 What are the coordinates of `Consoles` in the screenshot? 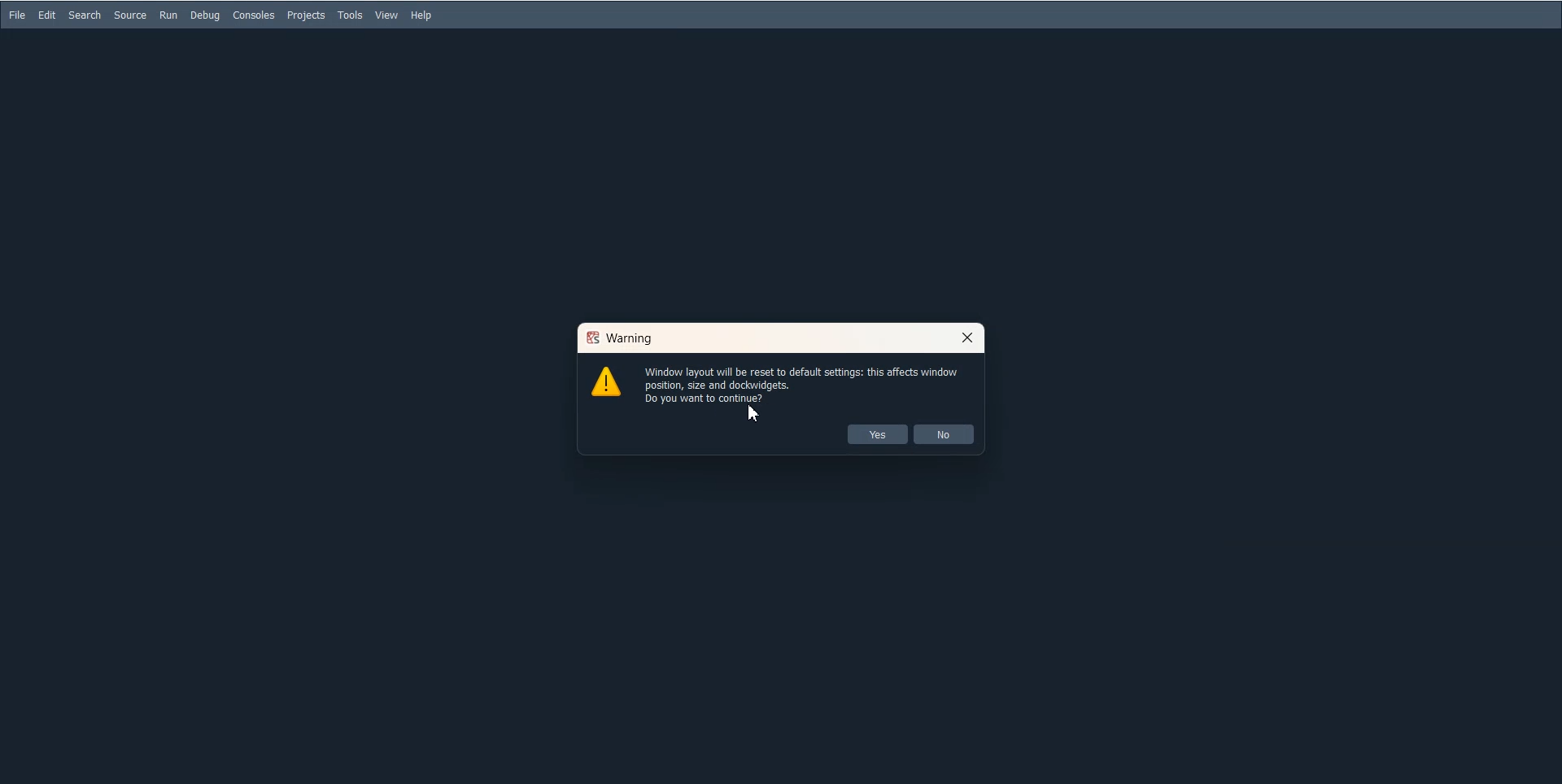 It's located at (254, 15).